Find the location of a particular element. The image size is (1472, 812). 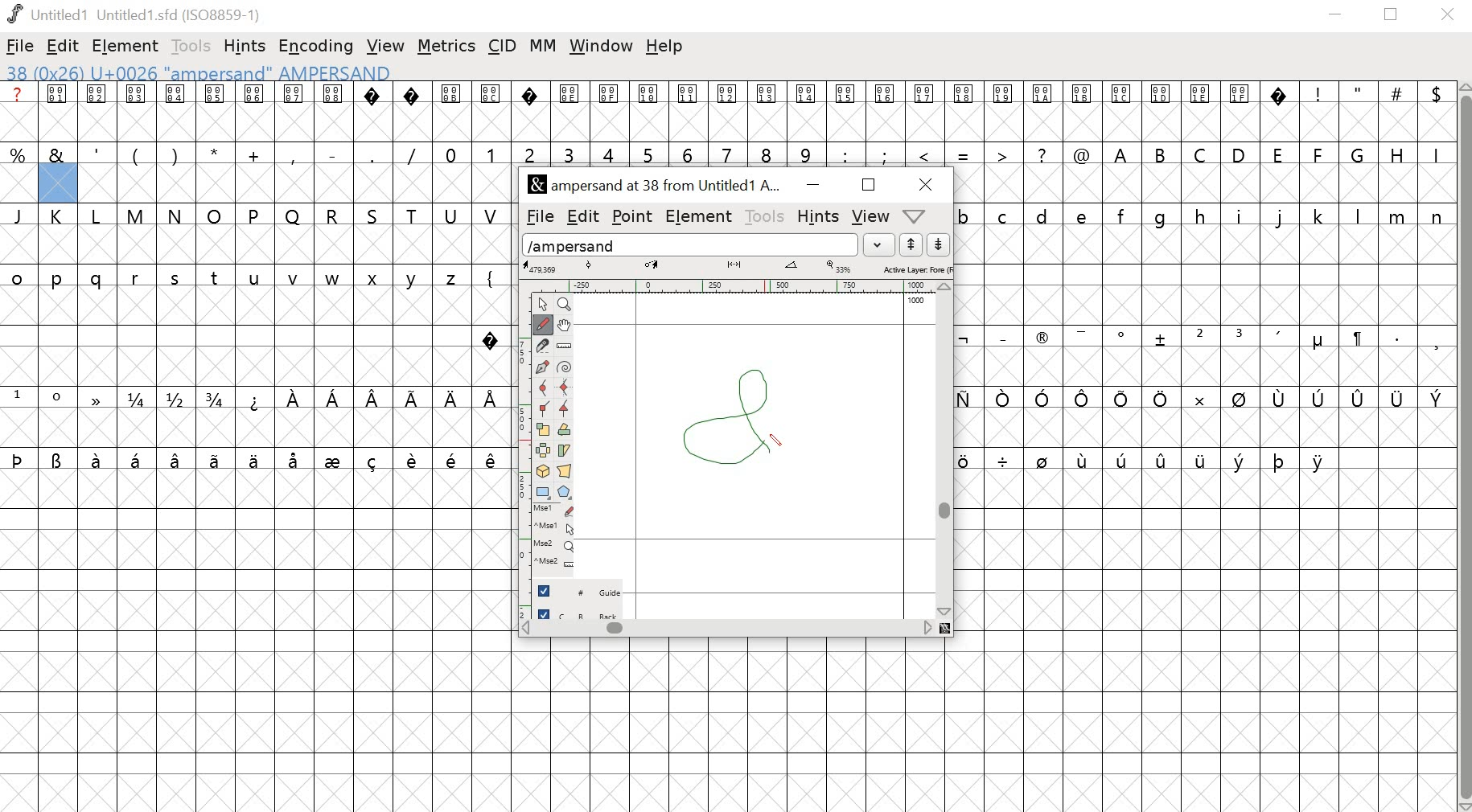

p is located at coordinates (60, 280).